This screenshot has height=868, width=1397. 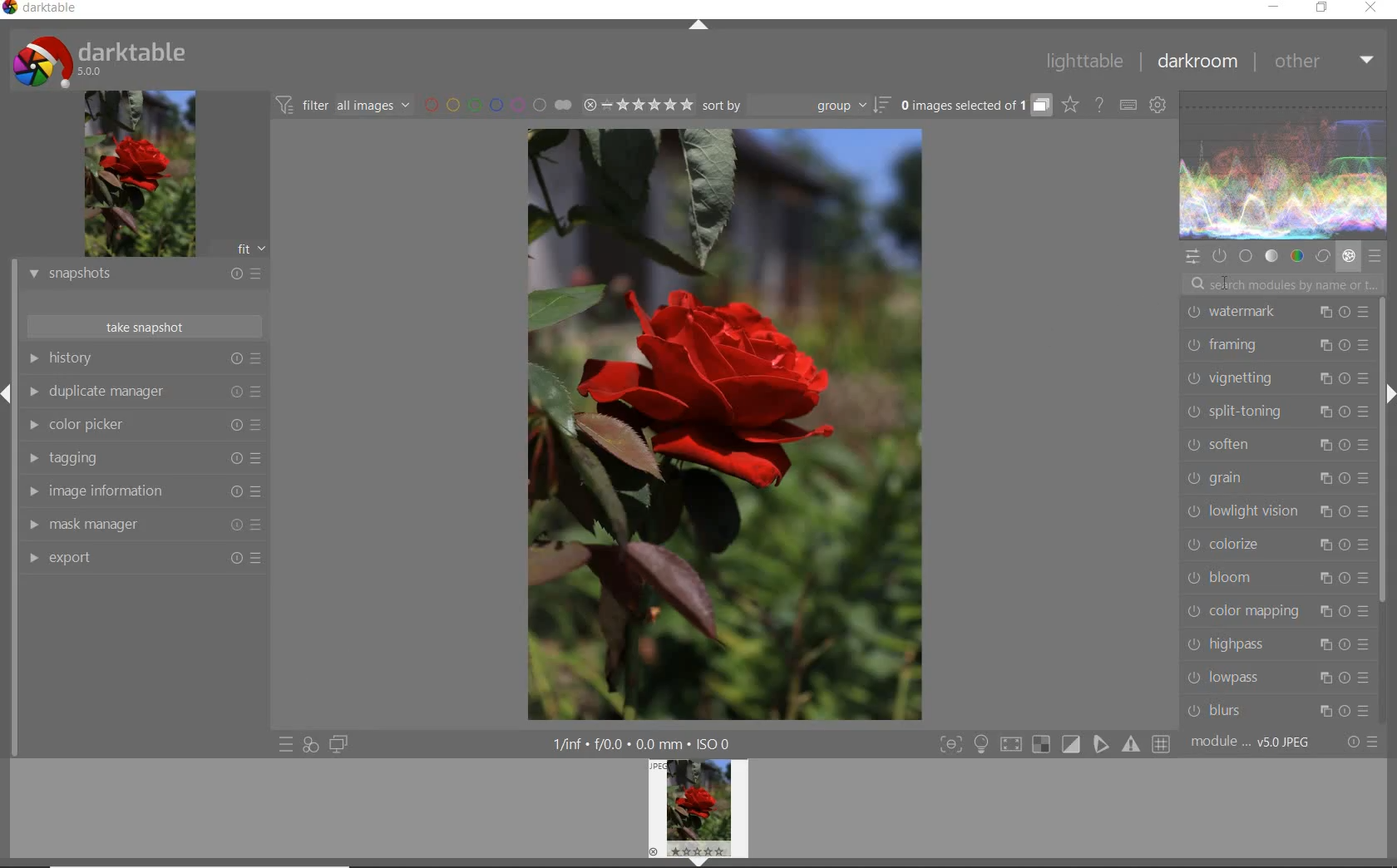 I want to click on framing, so click(x=1273, y=344).